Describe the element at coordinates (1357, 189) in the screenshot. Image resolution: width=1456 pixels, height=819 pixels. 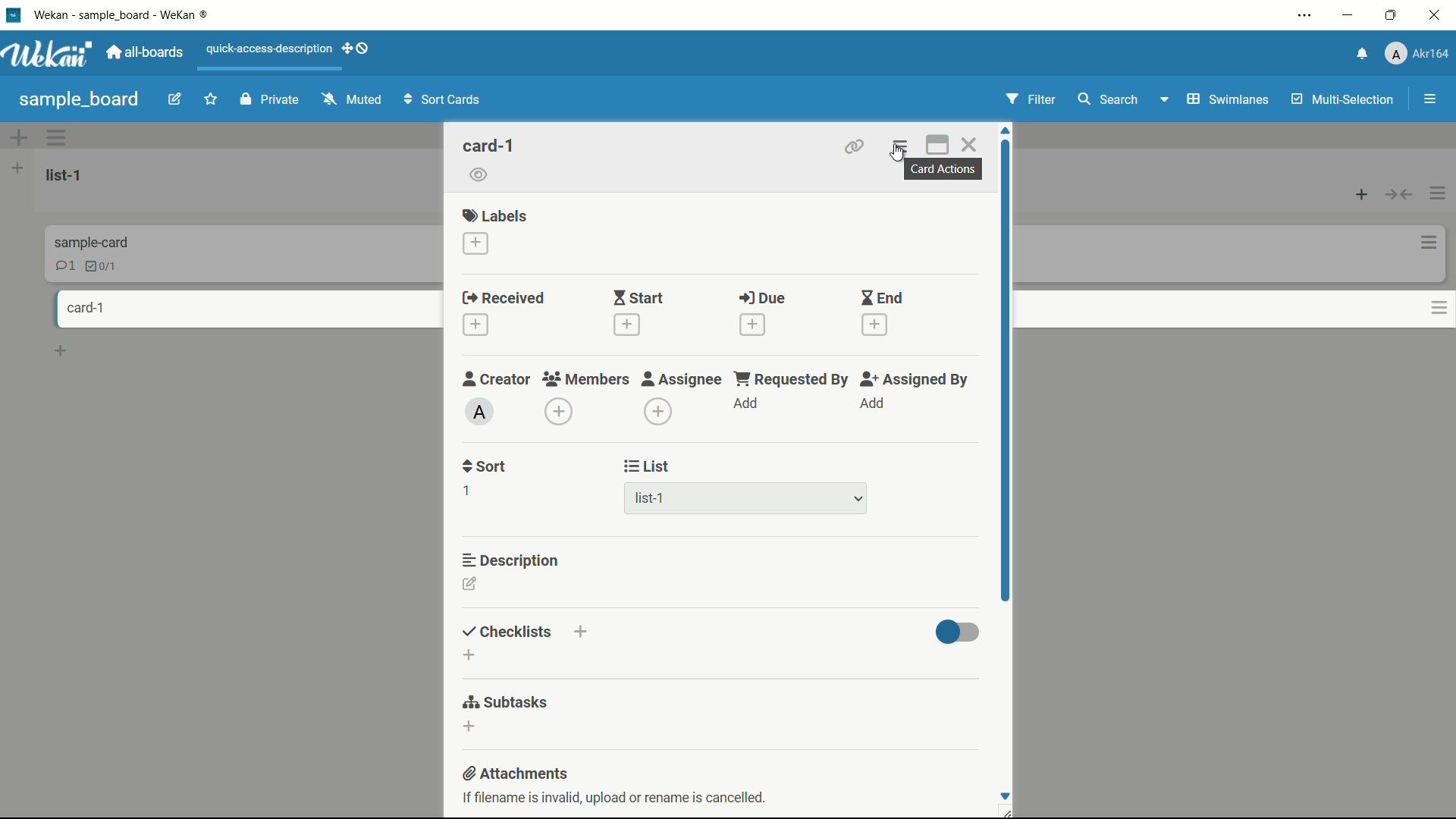
I see `list actions` at that location.